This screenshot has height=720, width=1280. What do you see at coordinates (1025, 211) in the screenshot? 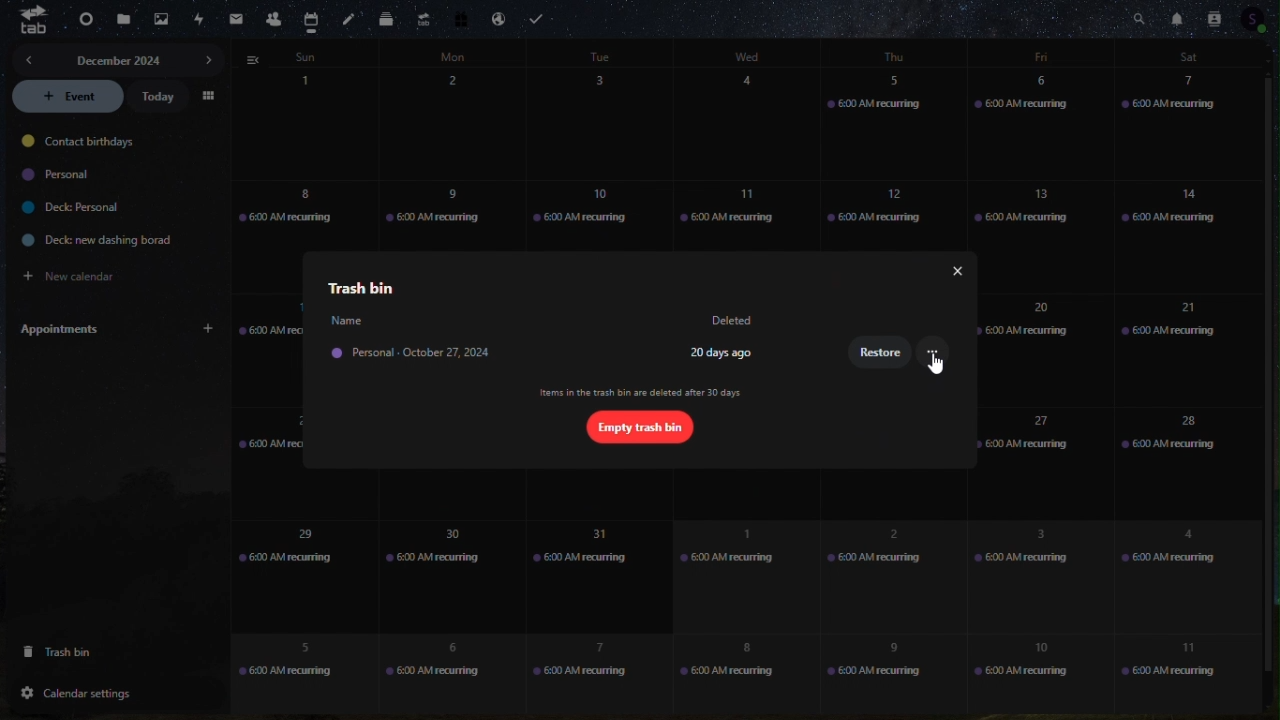
I see `13` at bounding box center [1025, 211].